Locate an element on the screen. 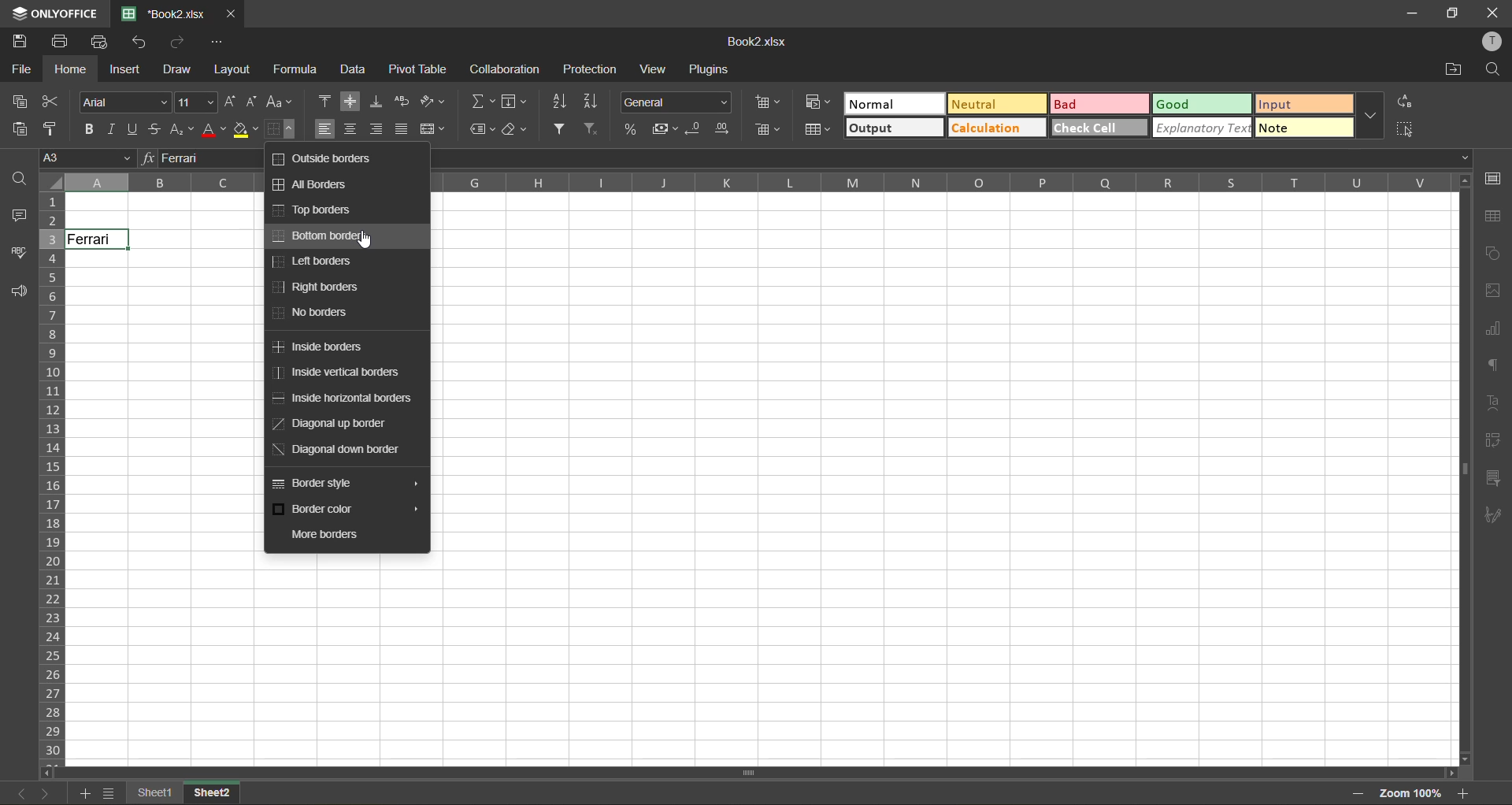 Image resolution: width=1512 pixels, height=805 pixels. copy is located at coordinates (20, 102).